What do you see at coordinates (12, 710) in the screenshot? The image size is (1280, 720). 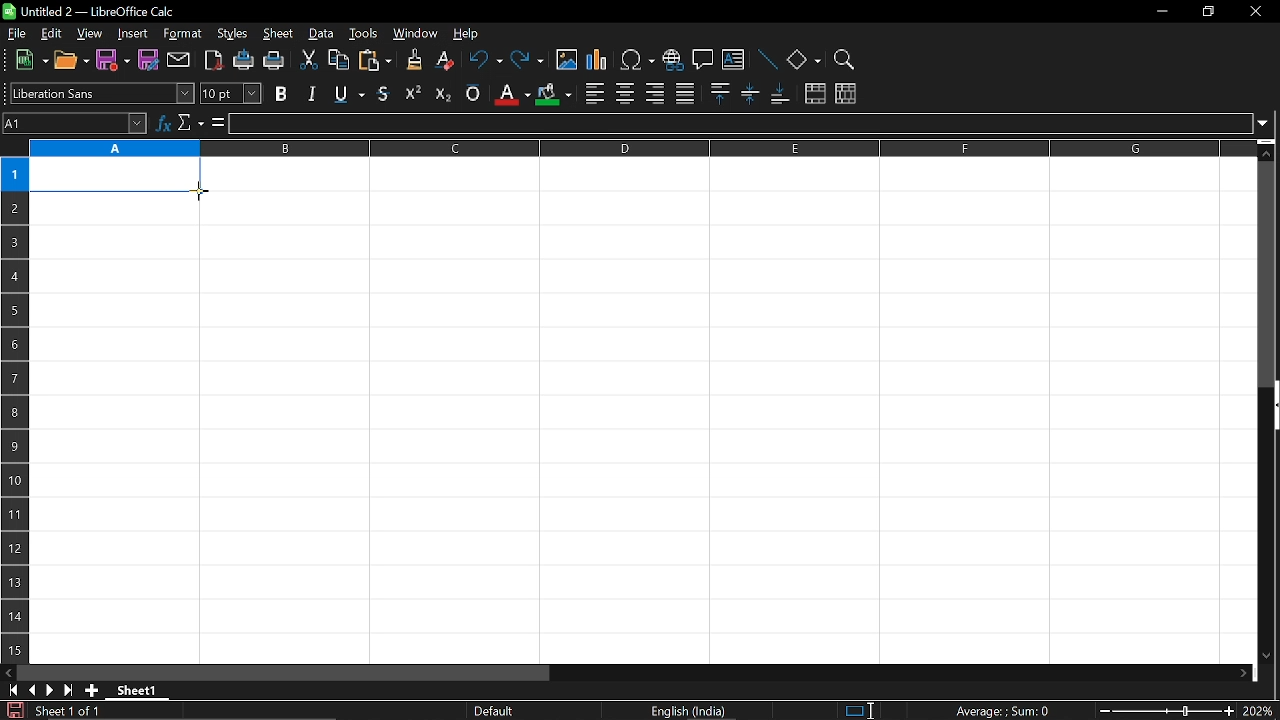 I see `save ` at bounding box center [12, 710].